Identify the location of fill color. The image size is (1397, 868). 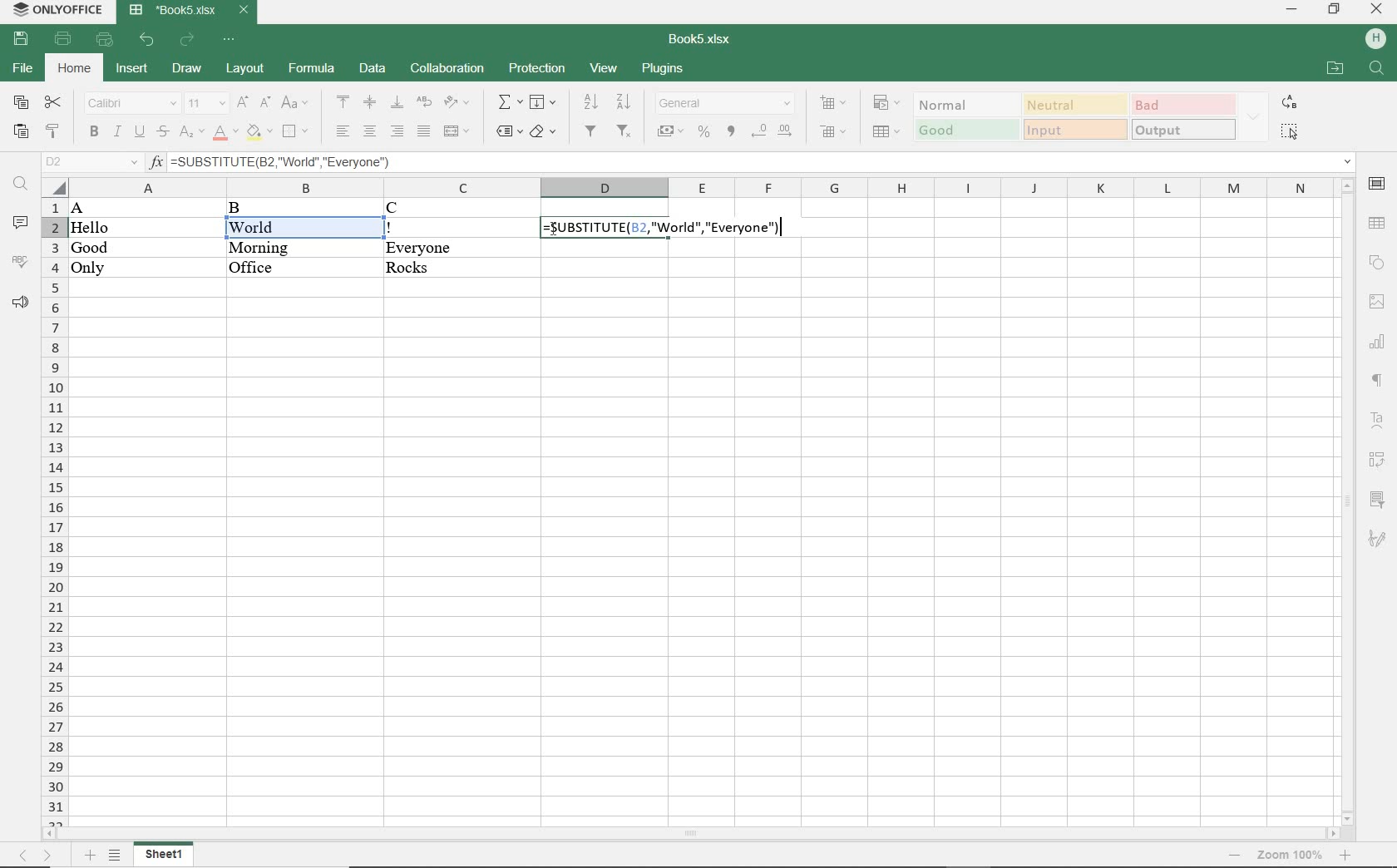
(260, 133).